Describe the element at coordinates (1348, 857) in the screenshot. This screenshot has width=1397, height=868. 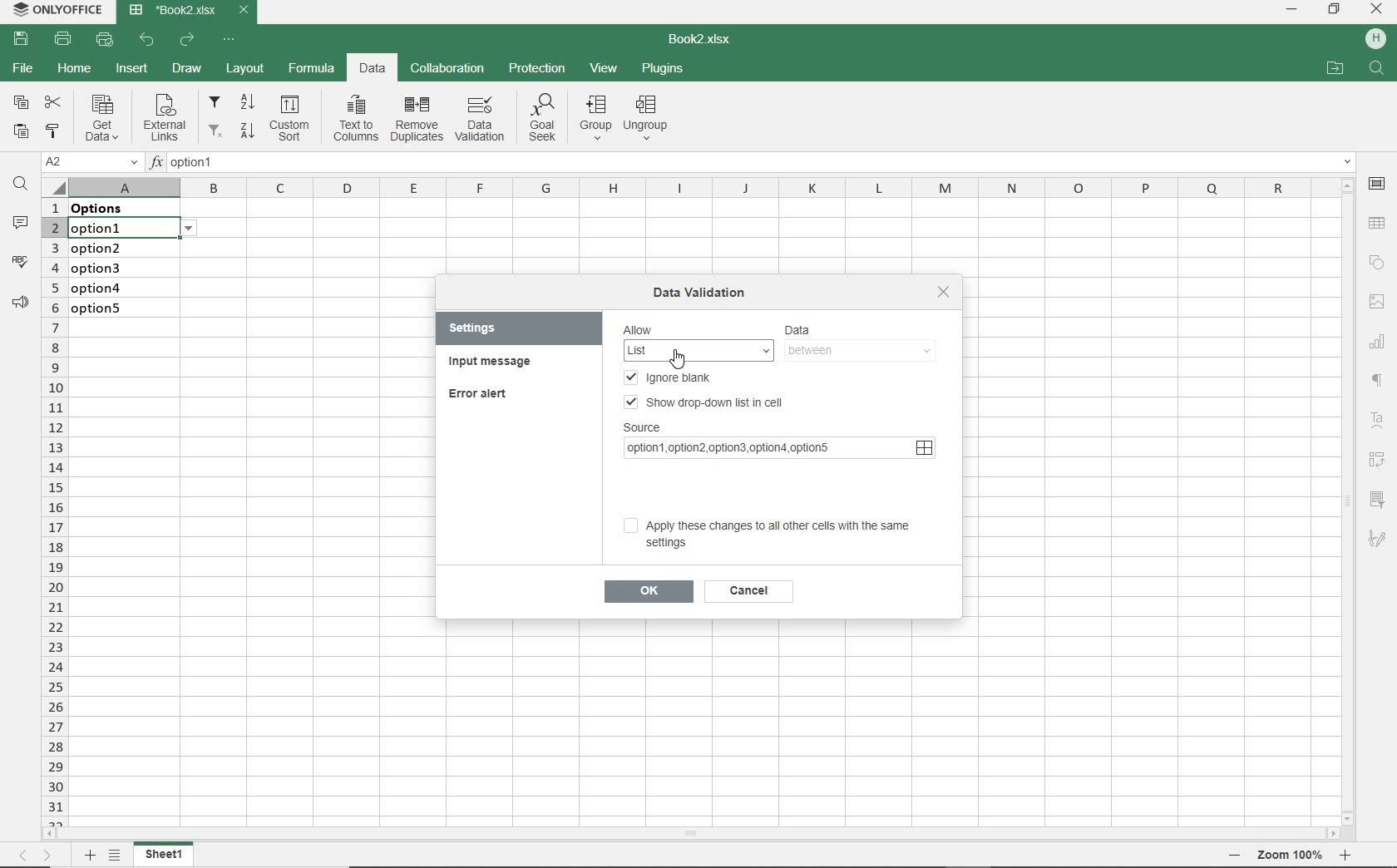
I see `Zoom in` at that location.